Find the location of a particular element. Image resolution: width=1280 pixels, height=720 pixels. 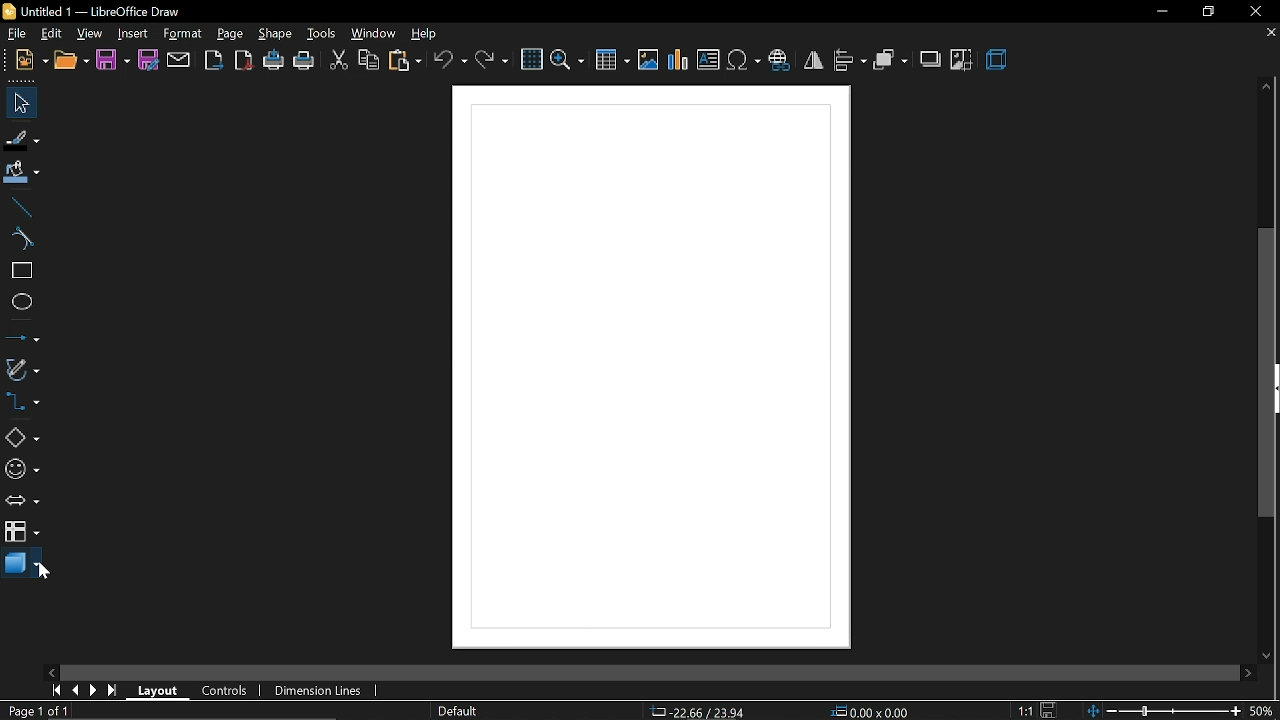

layout is located at coordinates (162, 691).